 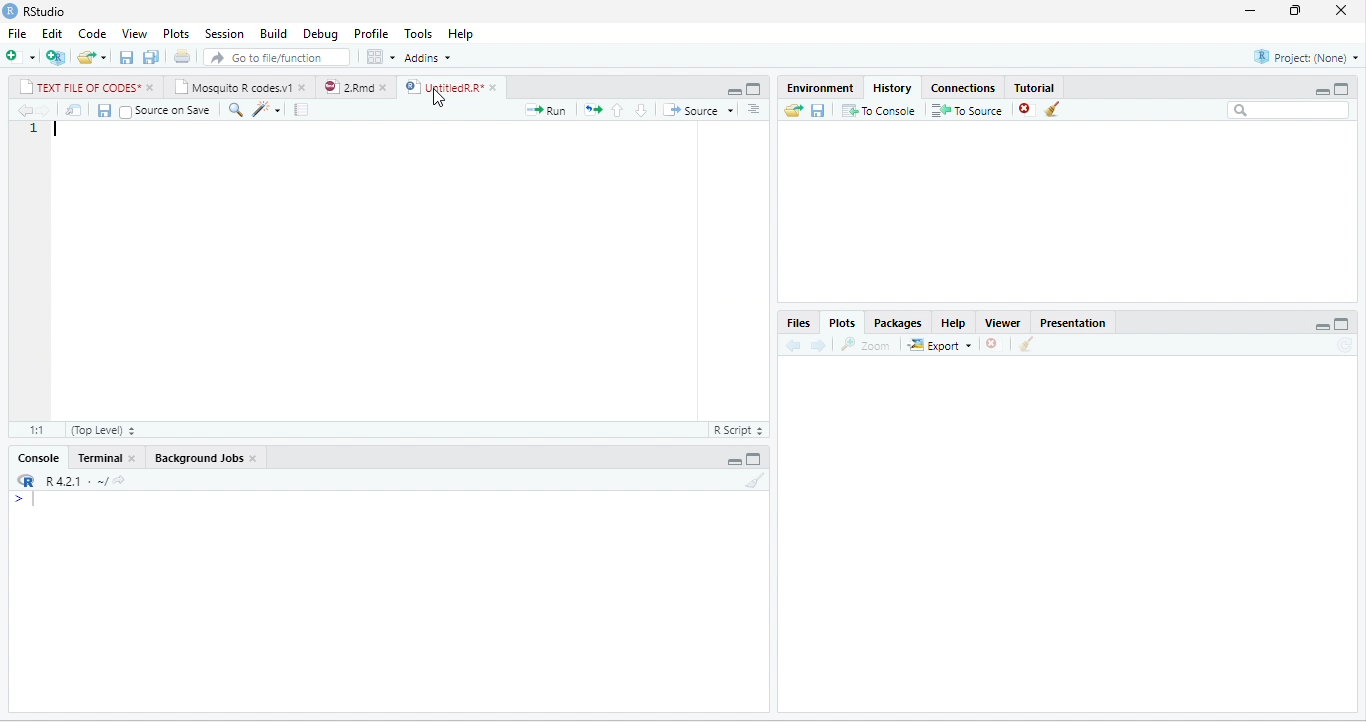 I want to click on maximize, so click(x=754, y=459).